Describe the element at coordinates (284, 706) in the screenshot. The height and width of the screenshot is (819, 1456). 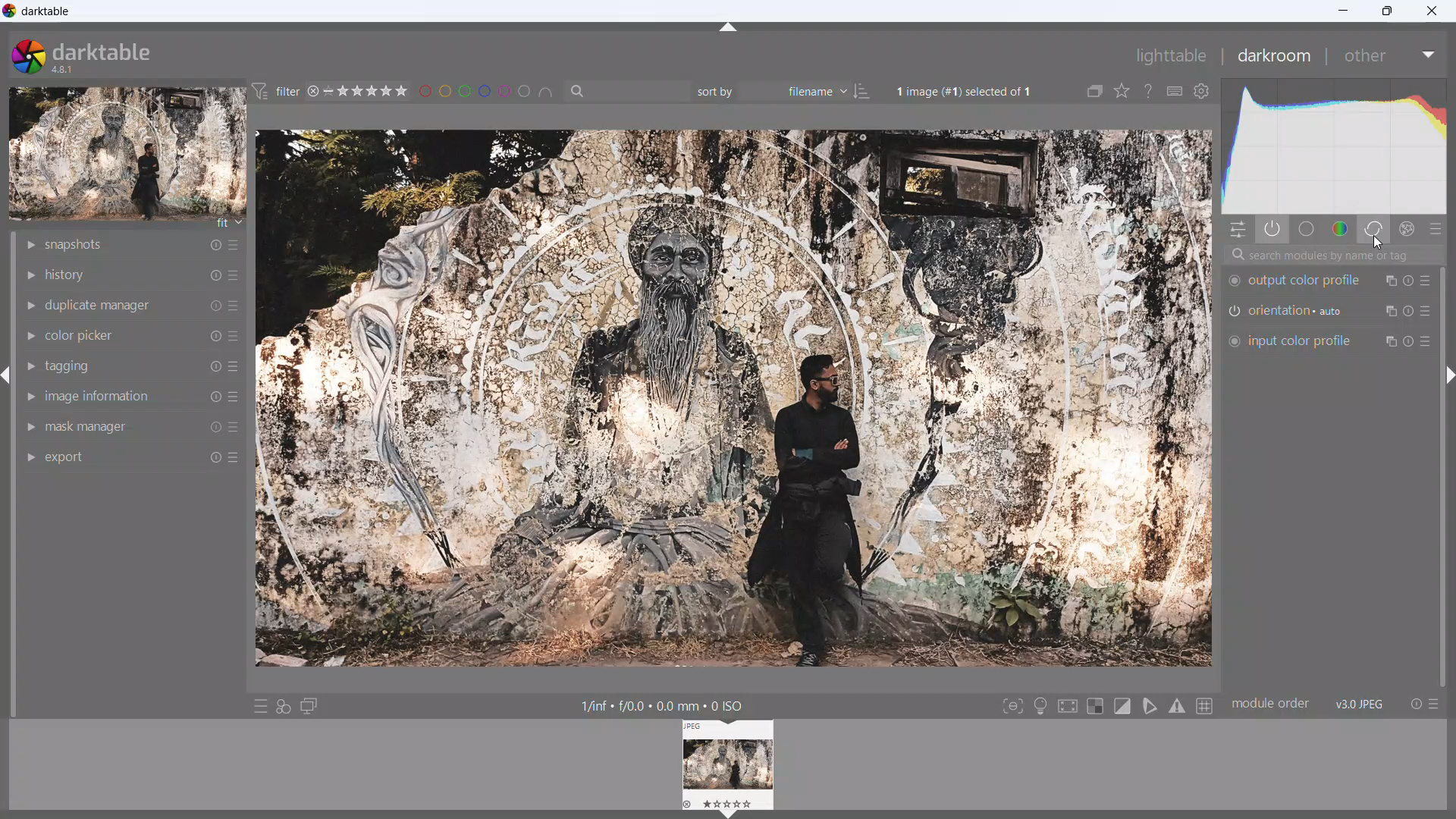
I see `quick access for applying styles` at that location.